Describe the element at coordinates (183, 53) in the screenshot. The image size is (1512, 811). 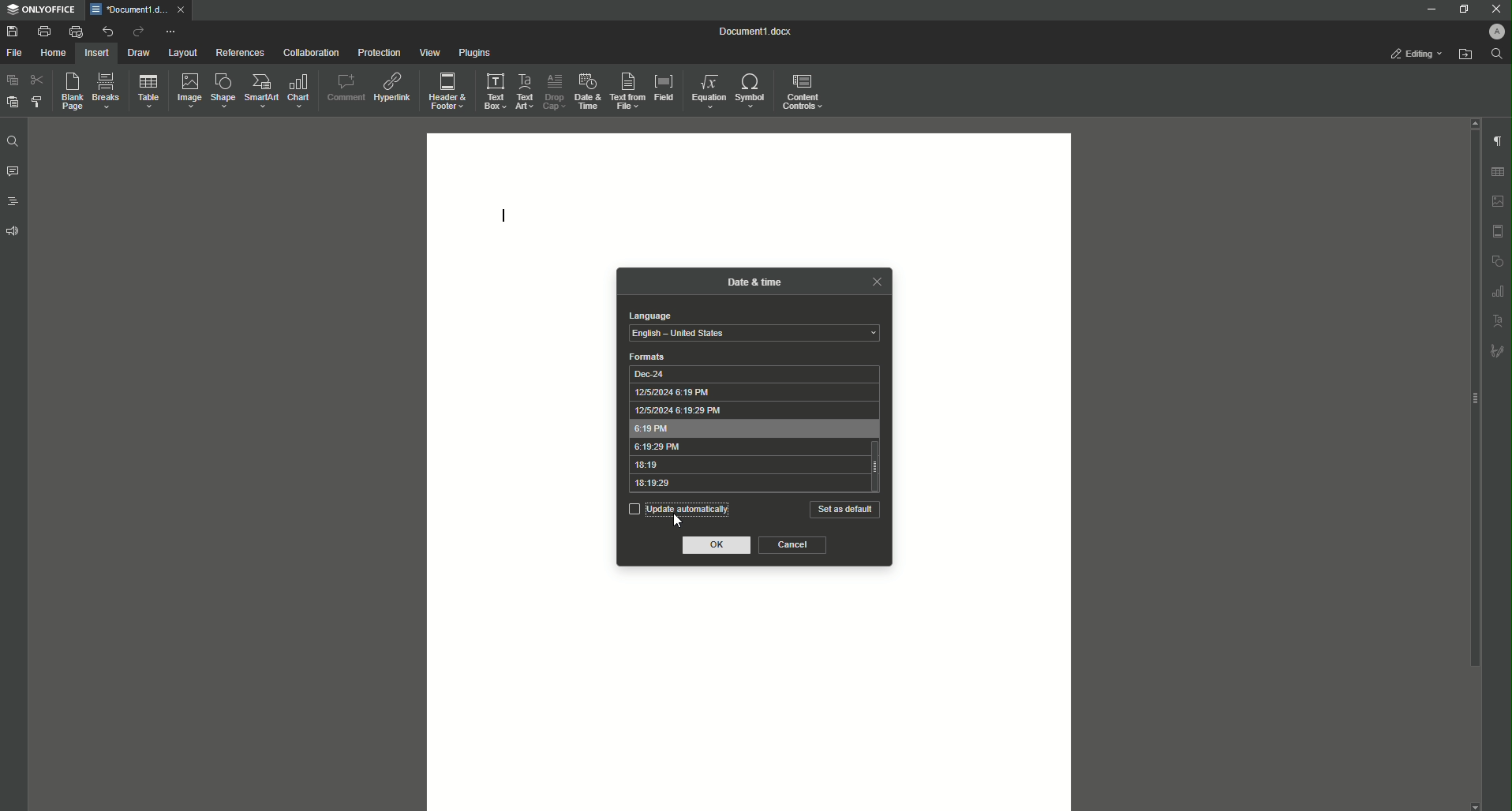
I see `Layout` at that location.